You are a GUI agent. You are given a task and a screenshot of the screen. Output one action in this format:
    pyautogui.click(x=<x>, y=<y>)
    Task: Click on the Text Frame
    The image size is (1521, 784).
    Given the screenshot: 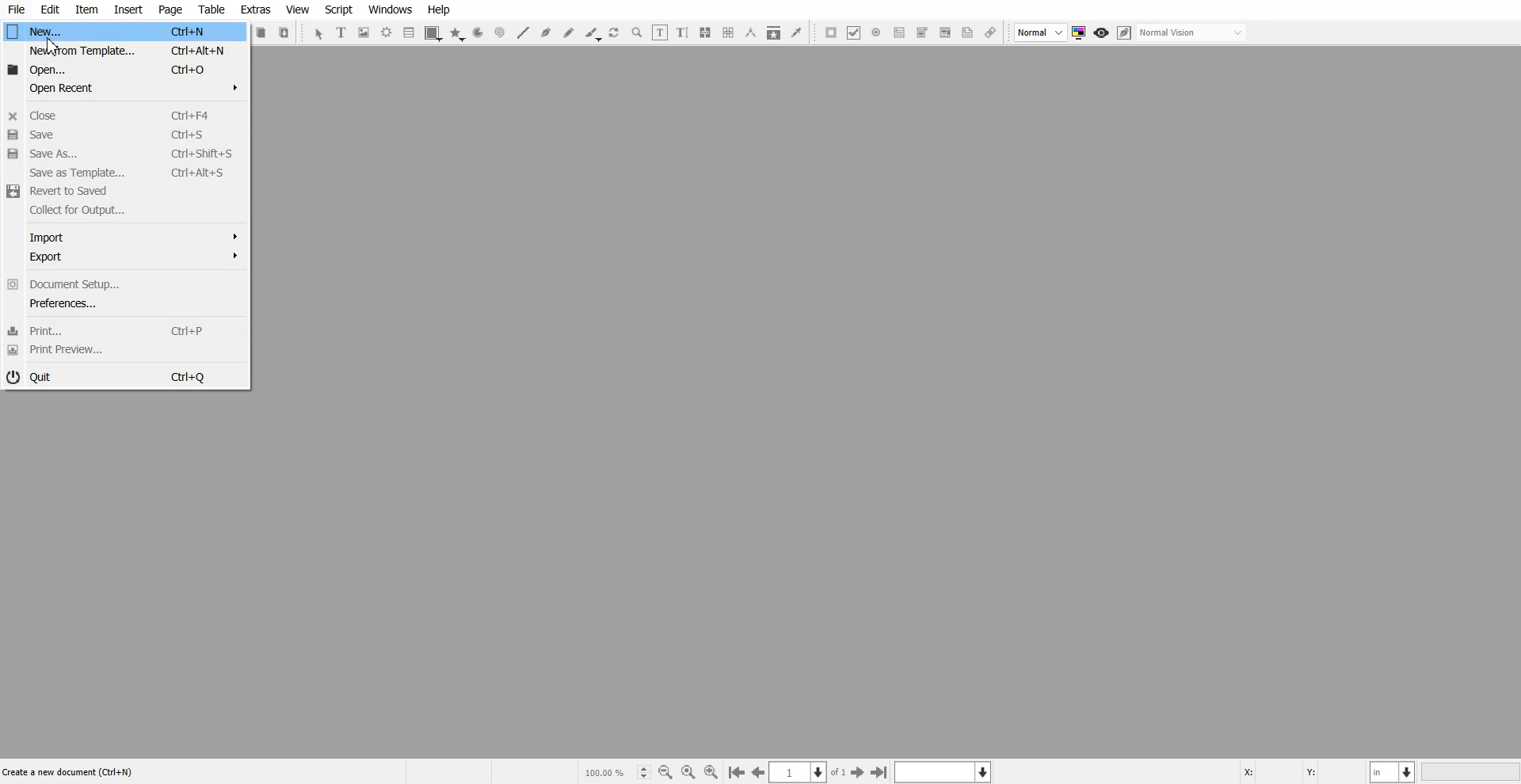 What is the action you would take?
    pyautogui.click(x=342, y=32)
    